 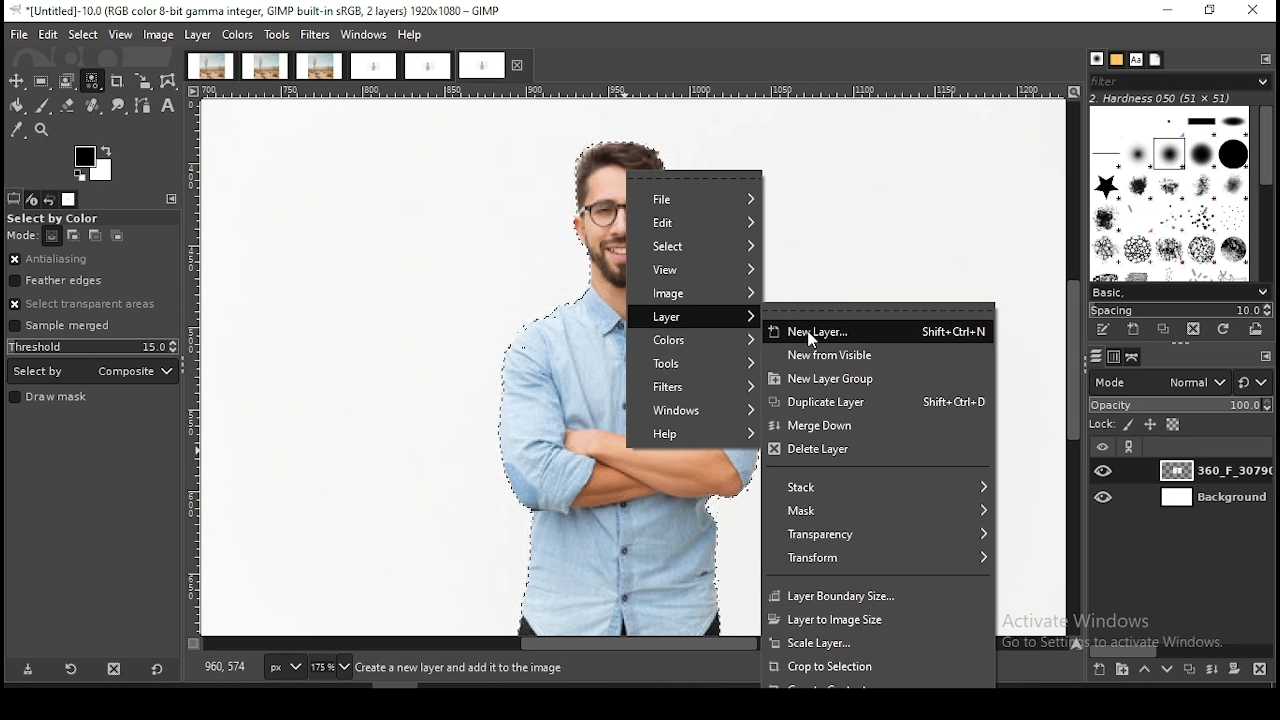 What do you see at coordinates (875, 331) in the screenshot?
I see `new layer` at bounding box center [875, 331].